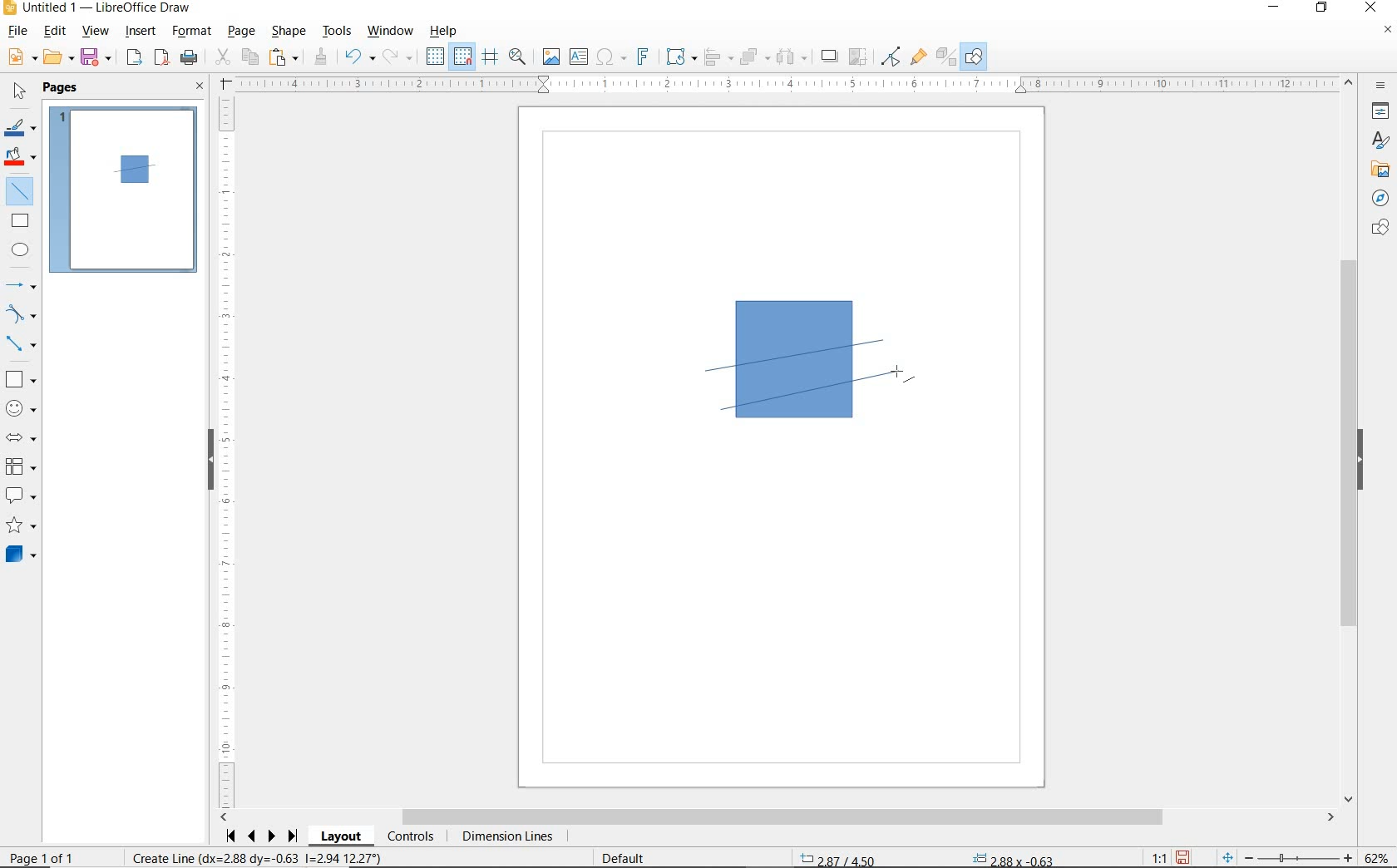 The image size is (1397, 868). What do you see at coordinates (192, 32) in the screenshot?
I see `FORMAT` at bounding box center [192, 32].